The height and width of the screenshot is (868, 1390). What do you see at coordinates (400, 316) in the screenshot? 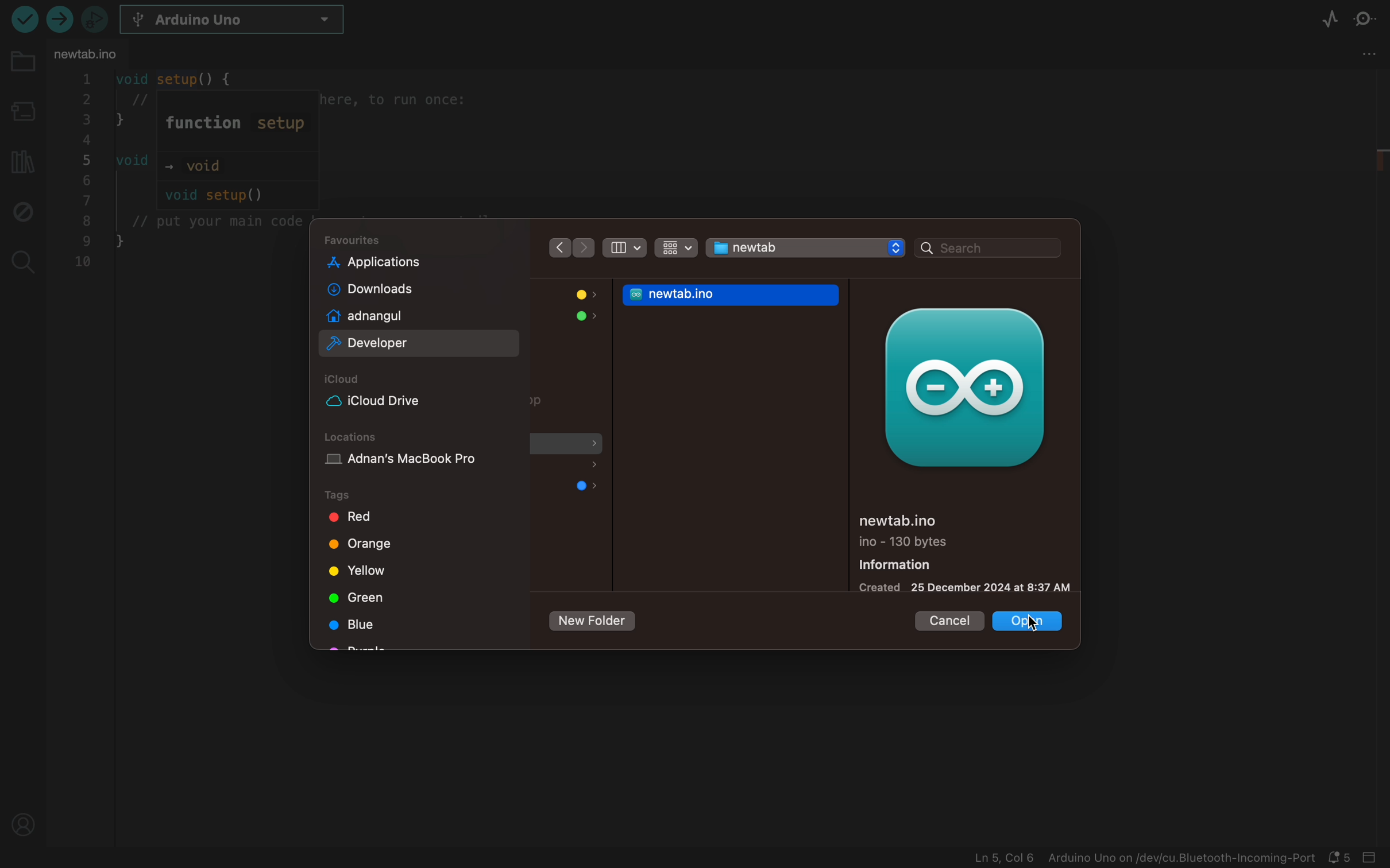
I see `adnan` at bounding box center [400, 316].